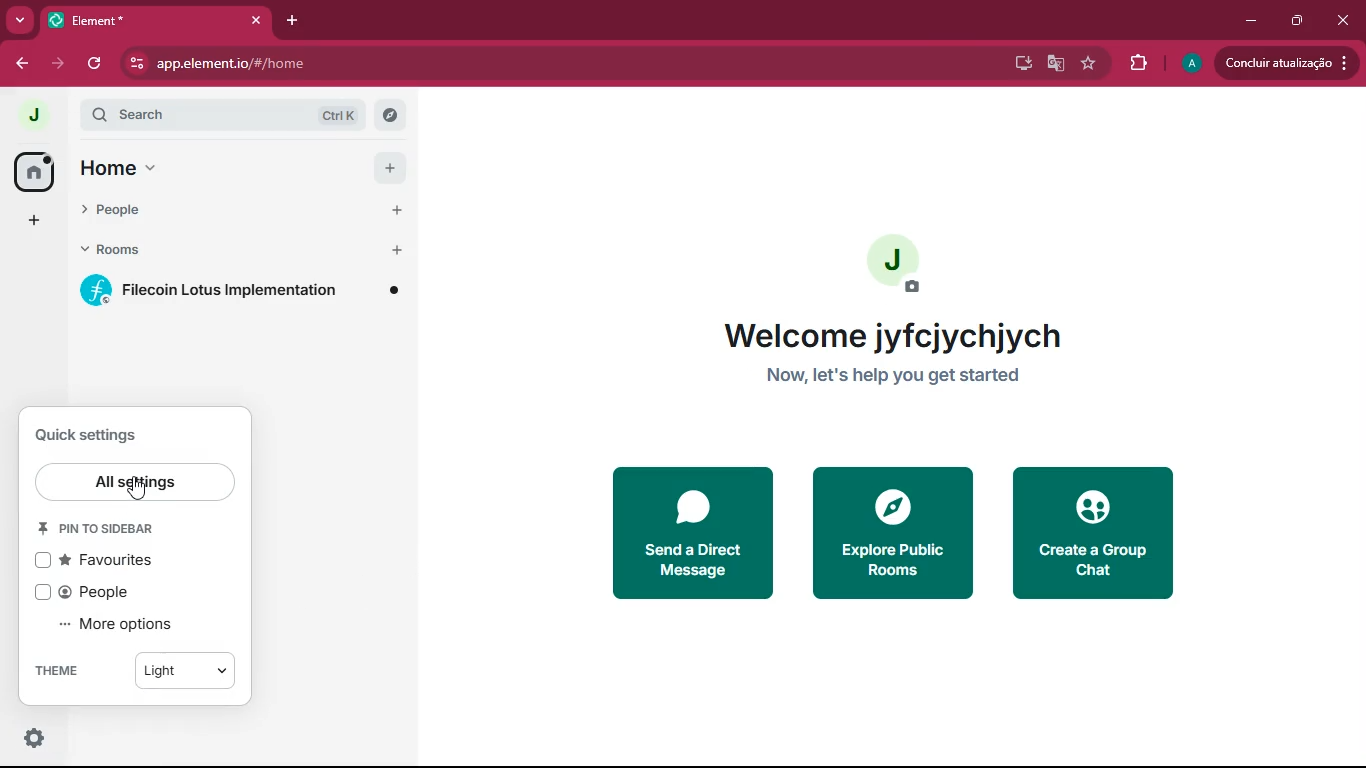 The image size is (1366, 768). What do you see at coordinates (184, 115) in the screenshot?
I see `search` at bounding box center [184, 115].